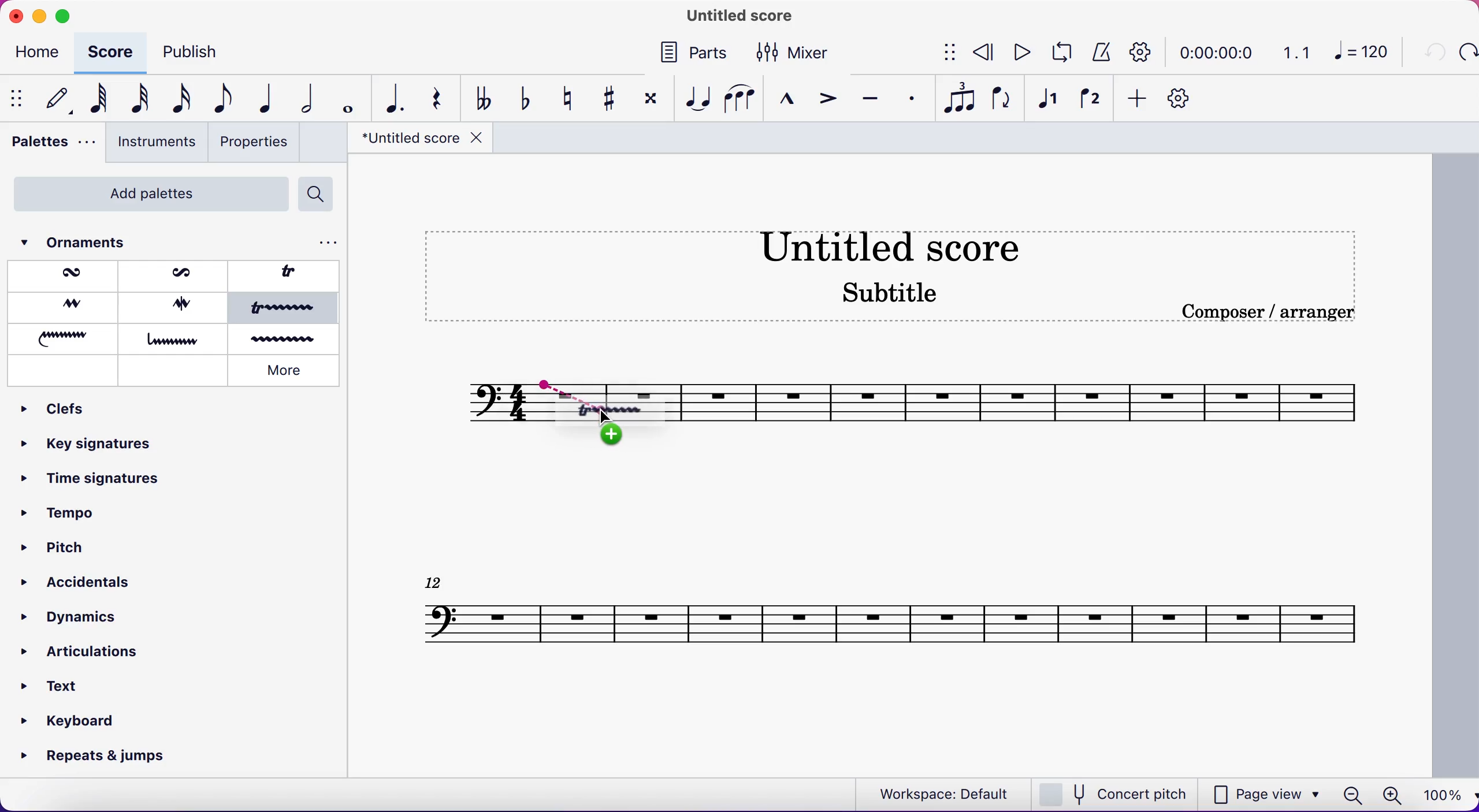 This screenshot has width=1479, height=812. What do you see at coordinates (1033, 400) in the screenshot?
I see `score` at bounding box center [1033, 400].